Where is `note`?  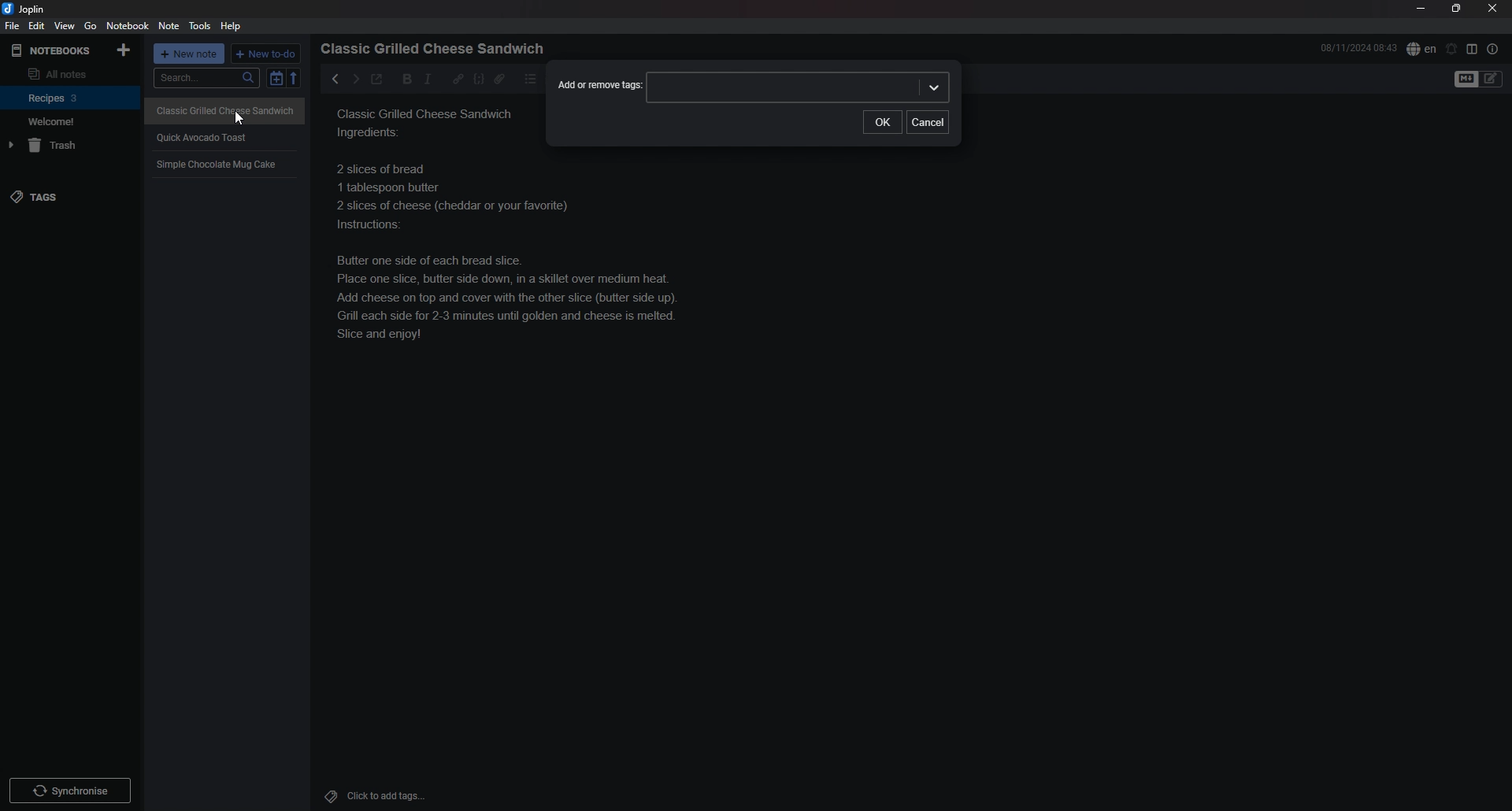
note is located at coordinates (168, 26).